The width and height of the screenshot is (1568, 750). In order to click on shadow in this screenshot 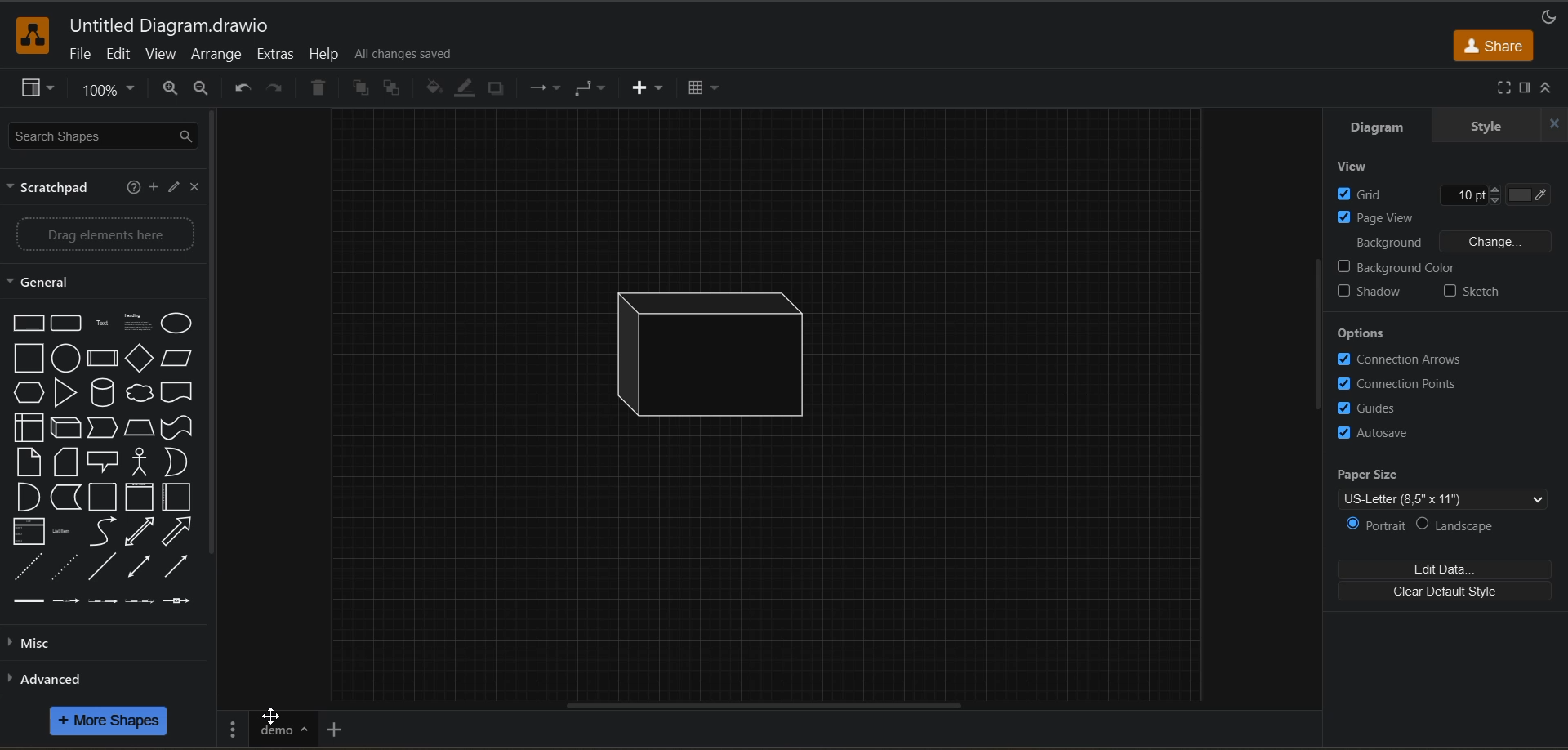, I will do `click(1368, 294)`.